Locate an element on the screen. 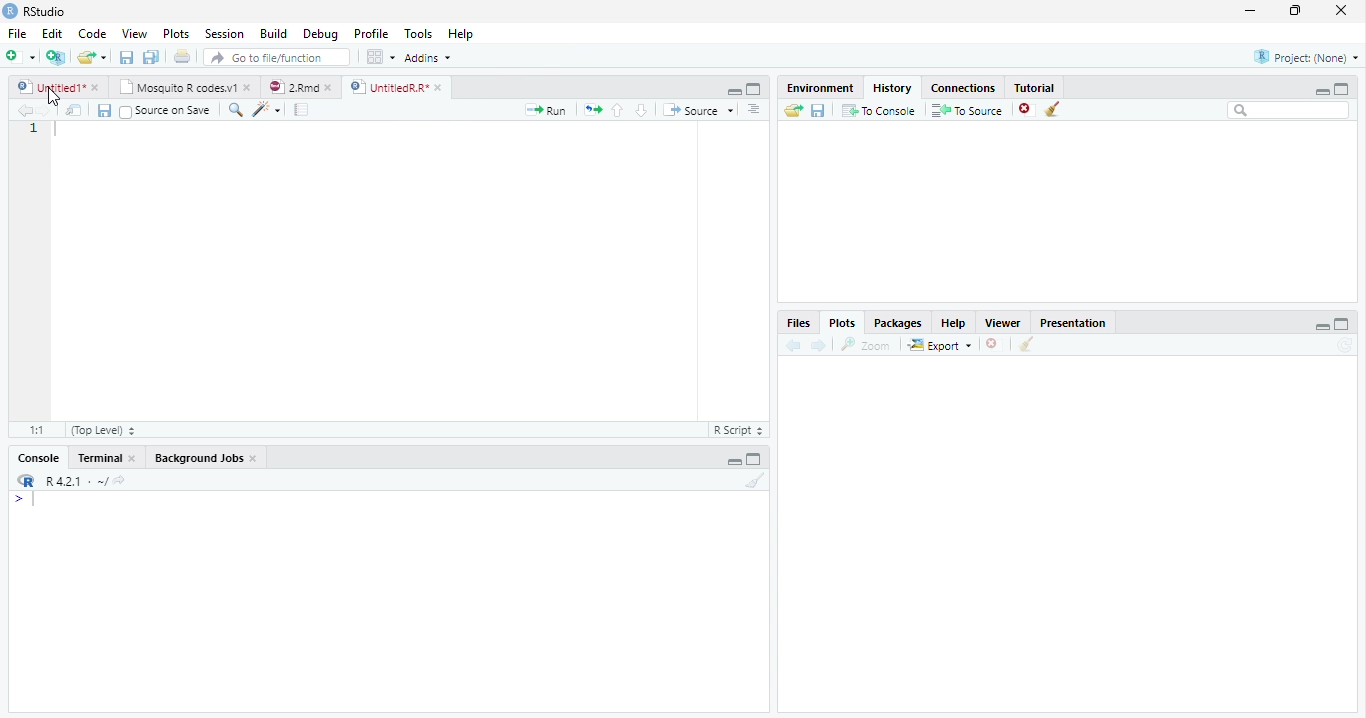 The image size is (1366, 718). Help is located at coordinates (460, 33).